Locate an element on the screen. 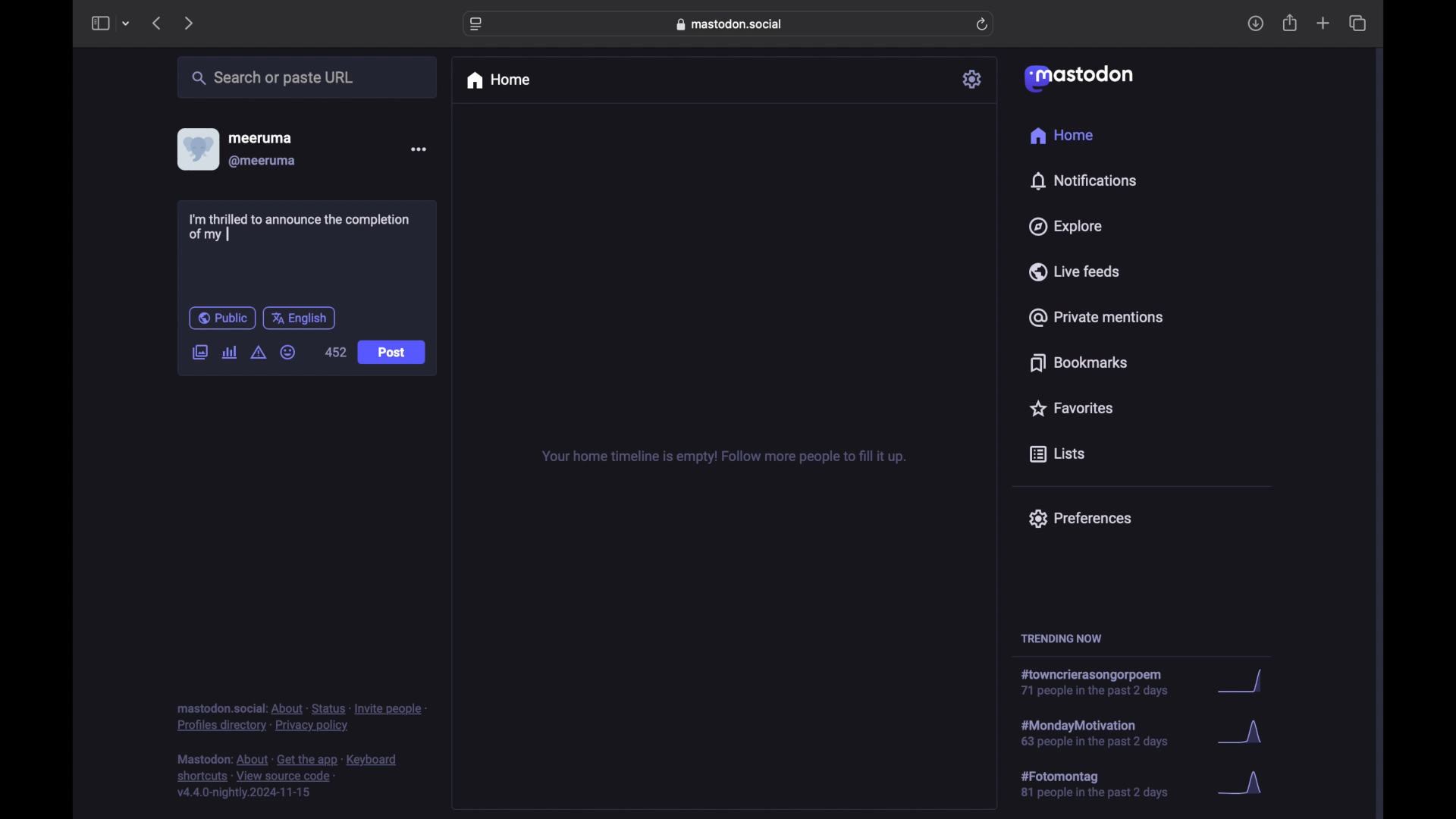 Image resolution: width=1456 pixels, height=819 pixels. preferences is located at coordinates (1080, 519).